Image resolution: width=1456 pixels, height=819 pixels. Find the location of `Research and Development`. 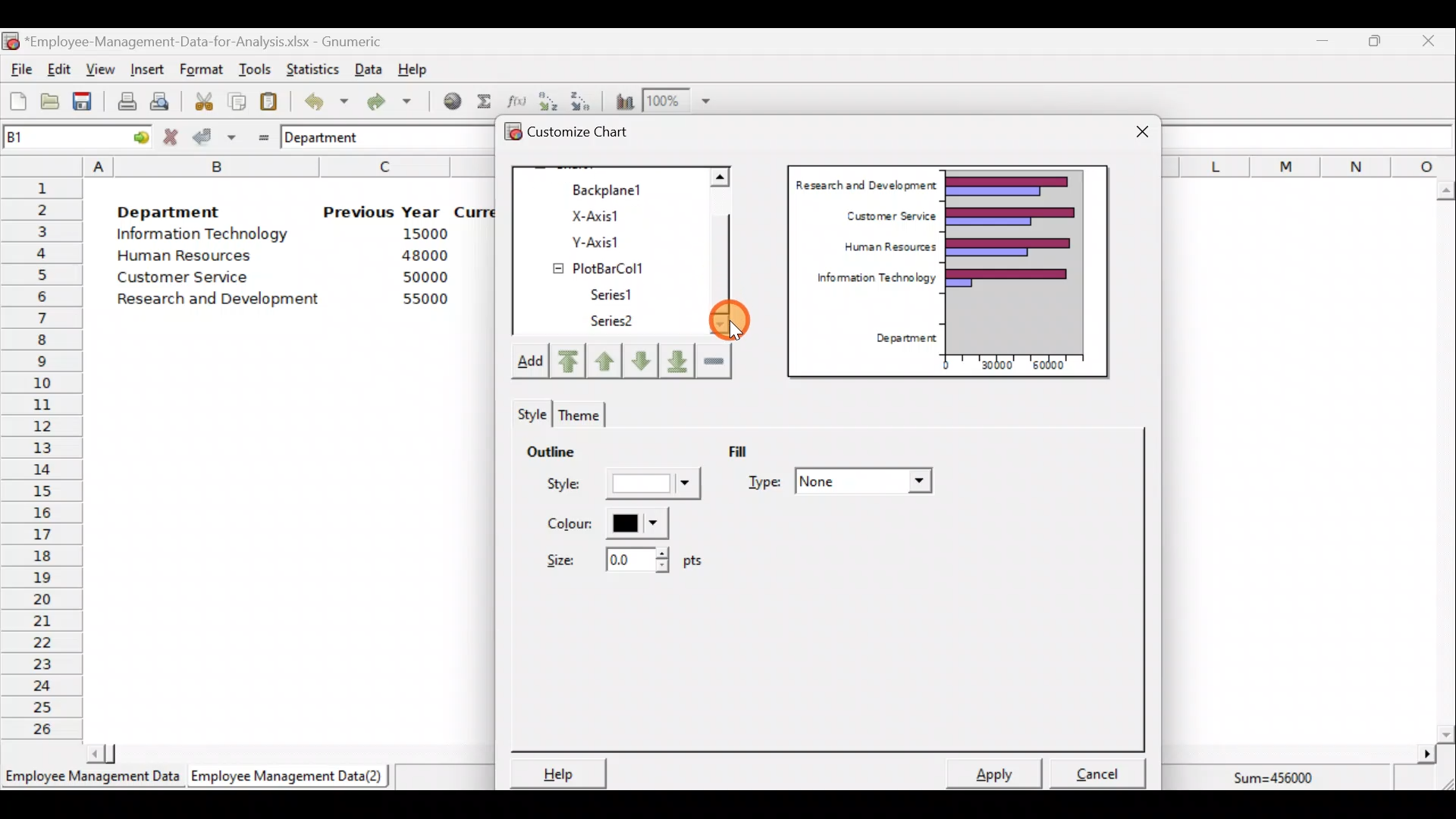

Research and Development is located at coordinates (865, 183).